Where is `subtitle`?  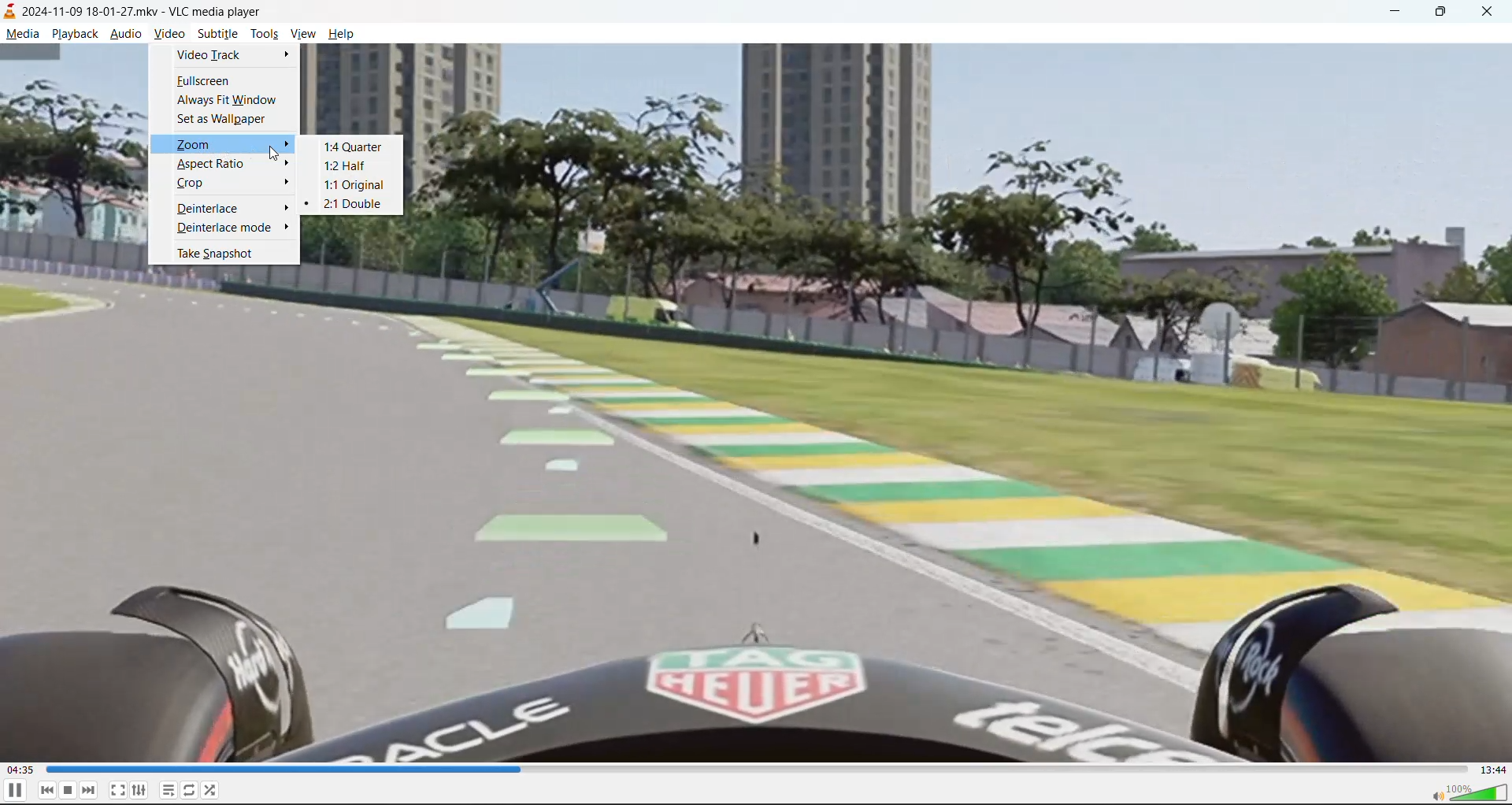
subtitle is located at coordinates (218, 33).